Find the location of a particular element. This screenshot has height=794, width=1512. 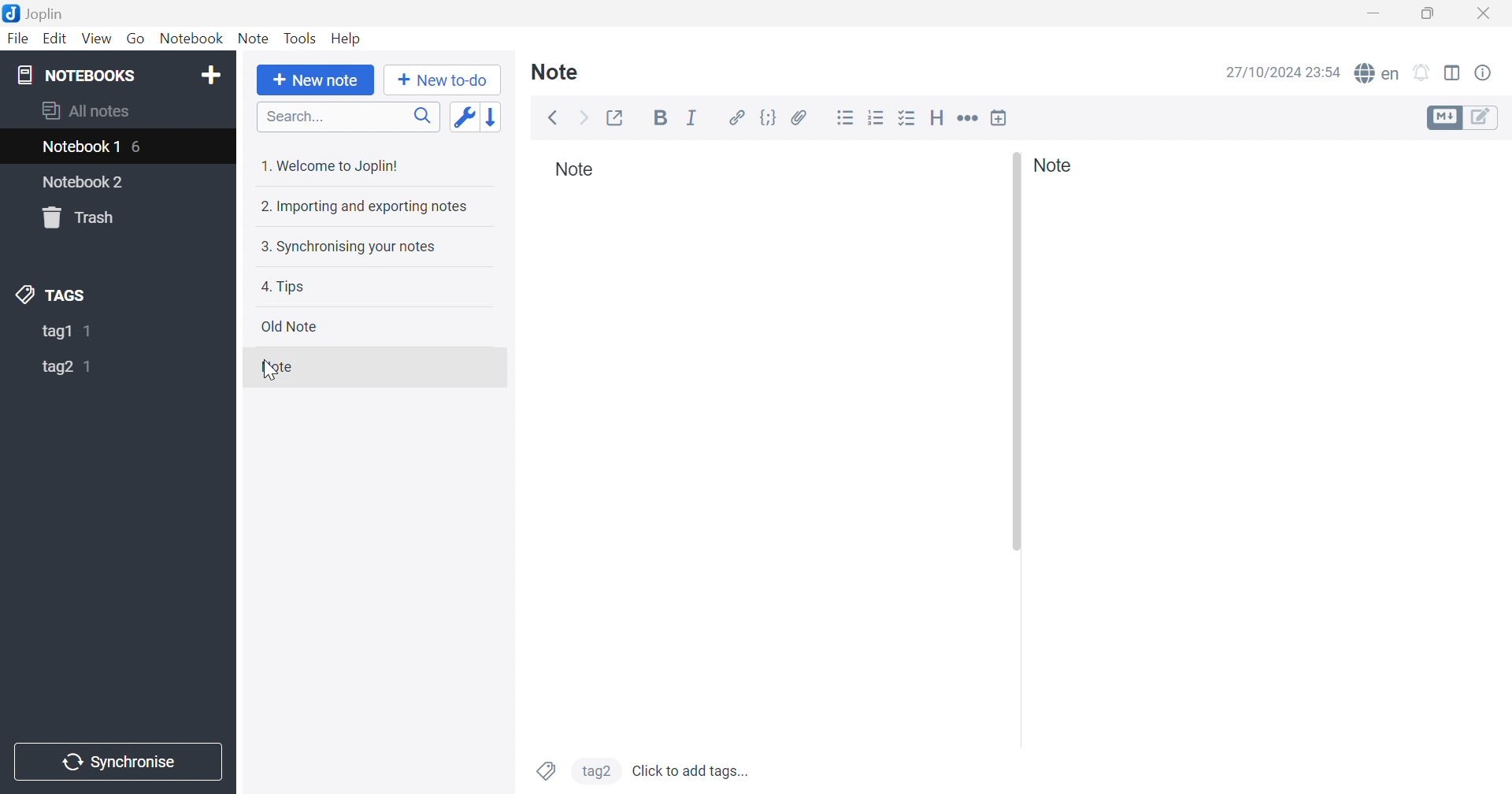

Click to add tags is located at coordinates (692, 769).